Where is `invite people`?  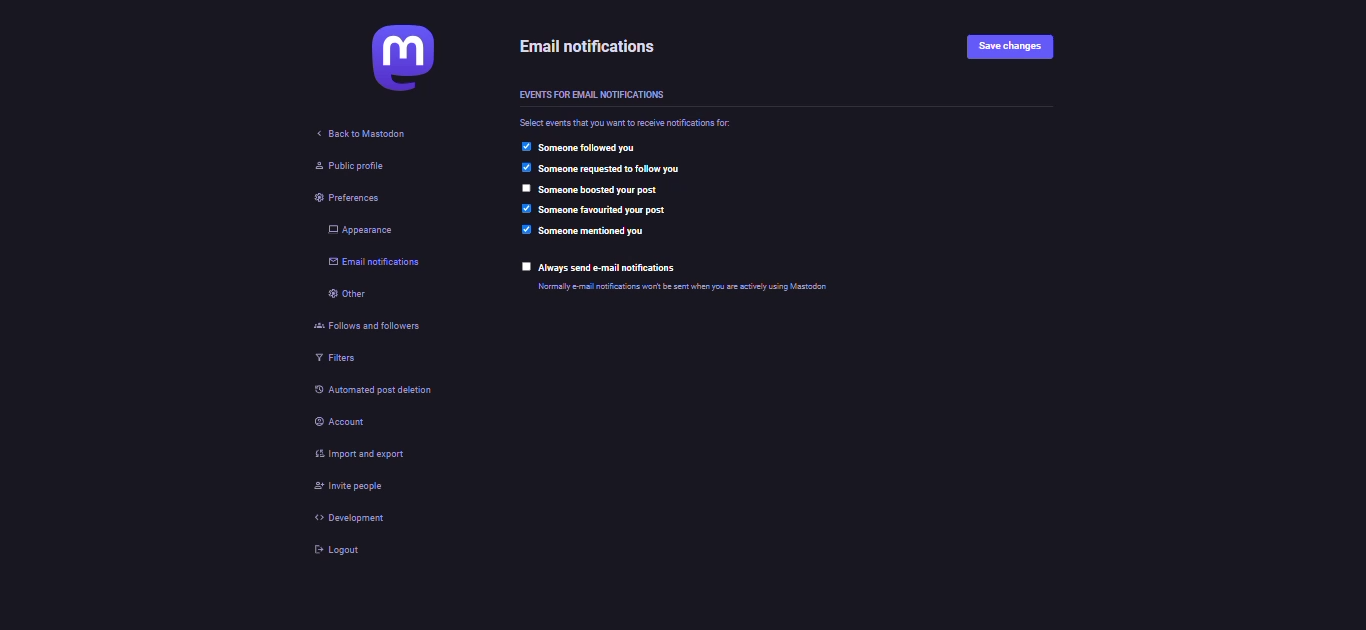
invite people is located at coordinates (349, 487).